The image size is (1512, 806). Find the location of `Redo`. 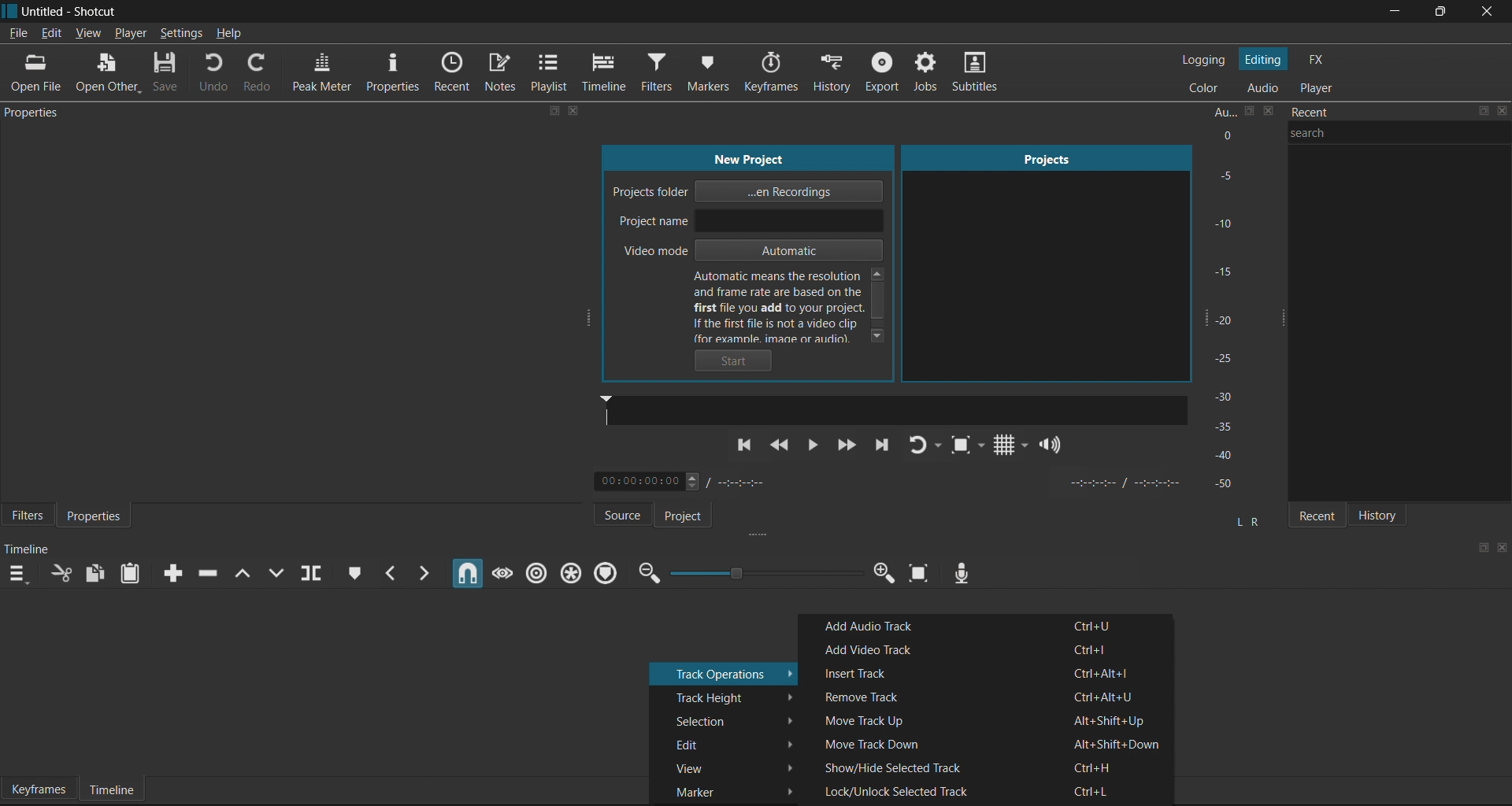

Redo is located at coordinates (265, 75).